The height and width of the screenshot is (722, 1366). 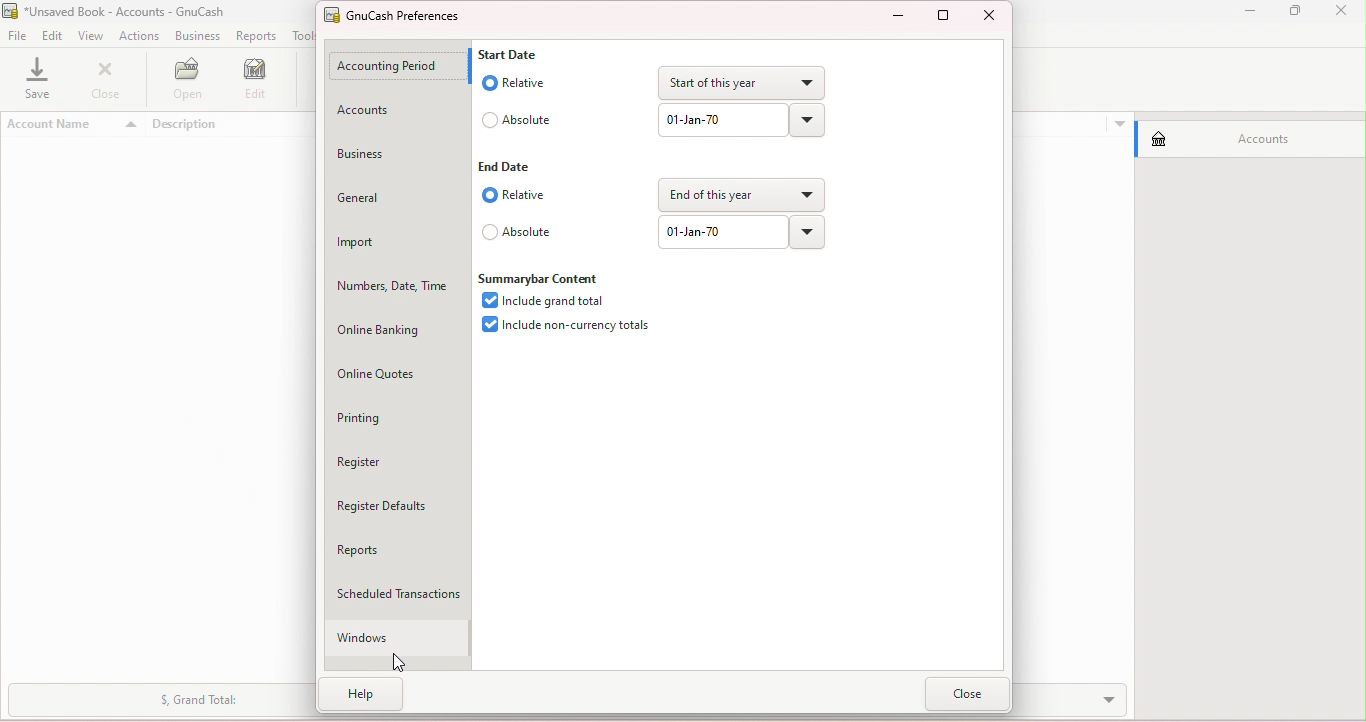 What do you see at coordinates (944, 18) in the screenshot?
I see `Maximize` at bounding box center [944, 18].